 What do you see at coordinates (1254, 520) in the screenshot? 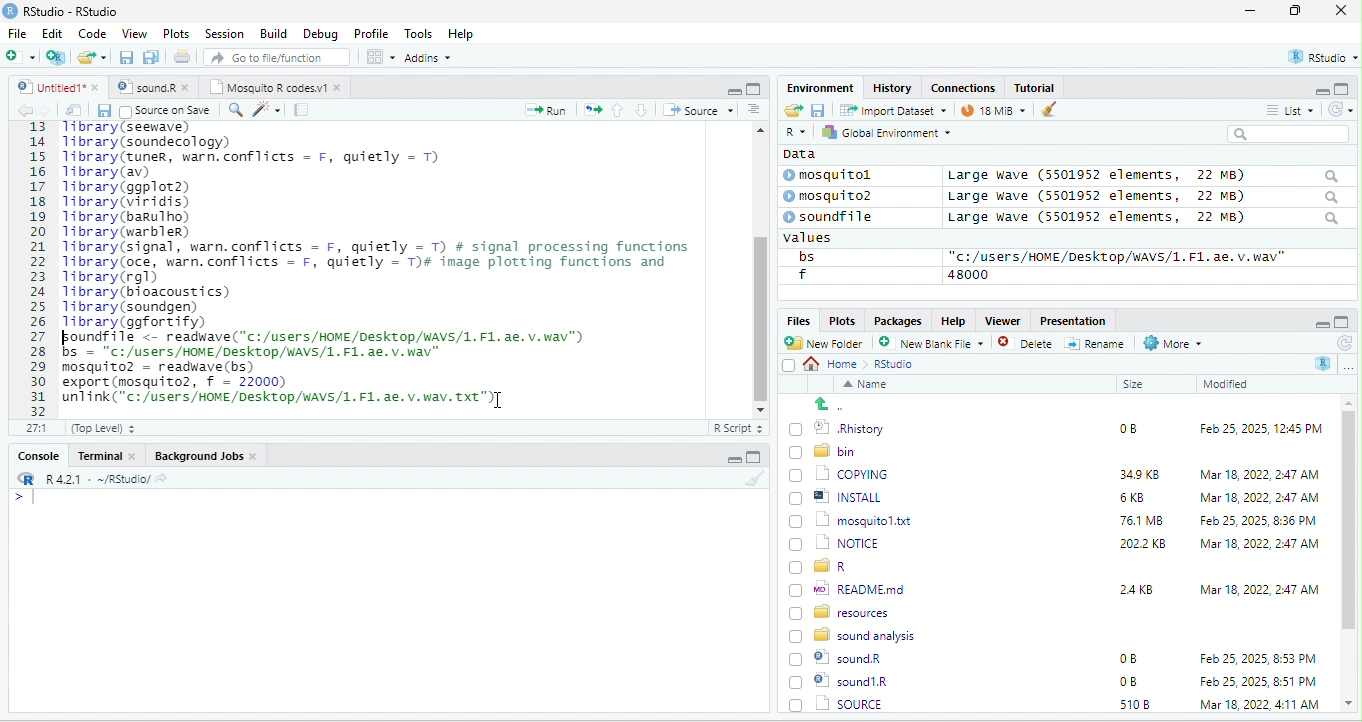
I see `Feb 25, 2025, 8:36 PM` at bounding box center [1254, 520].